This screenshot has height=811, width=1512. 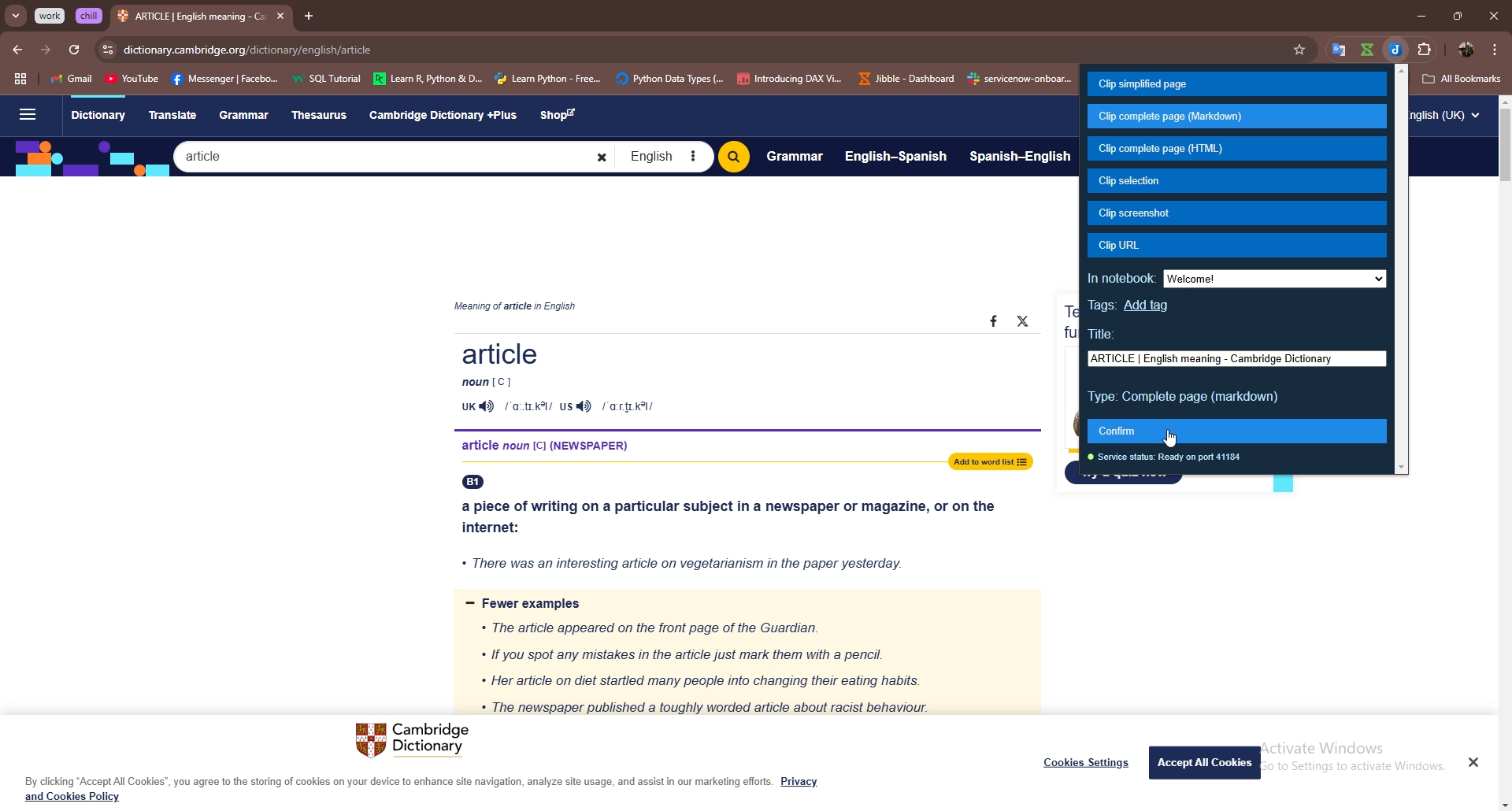 I want to click on add tab, so click(x=308, y=16).